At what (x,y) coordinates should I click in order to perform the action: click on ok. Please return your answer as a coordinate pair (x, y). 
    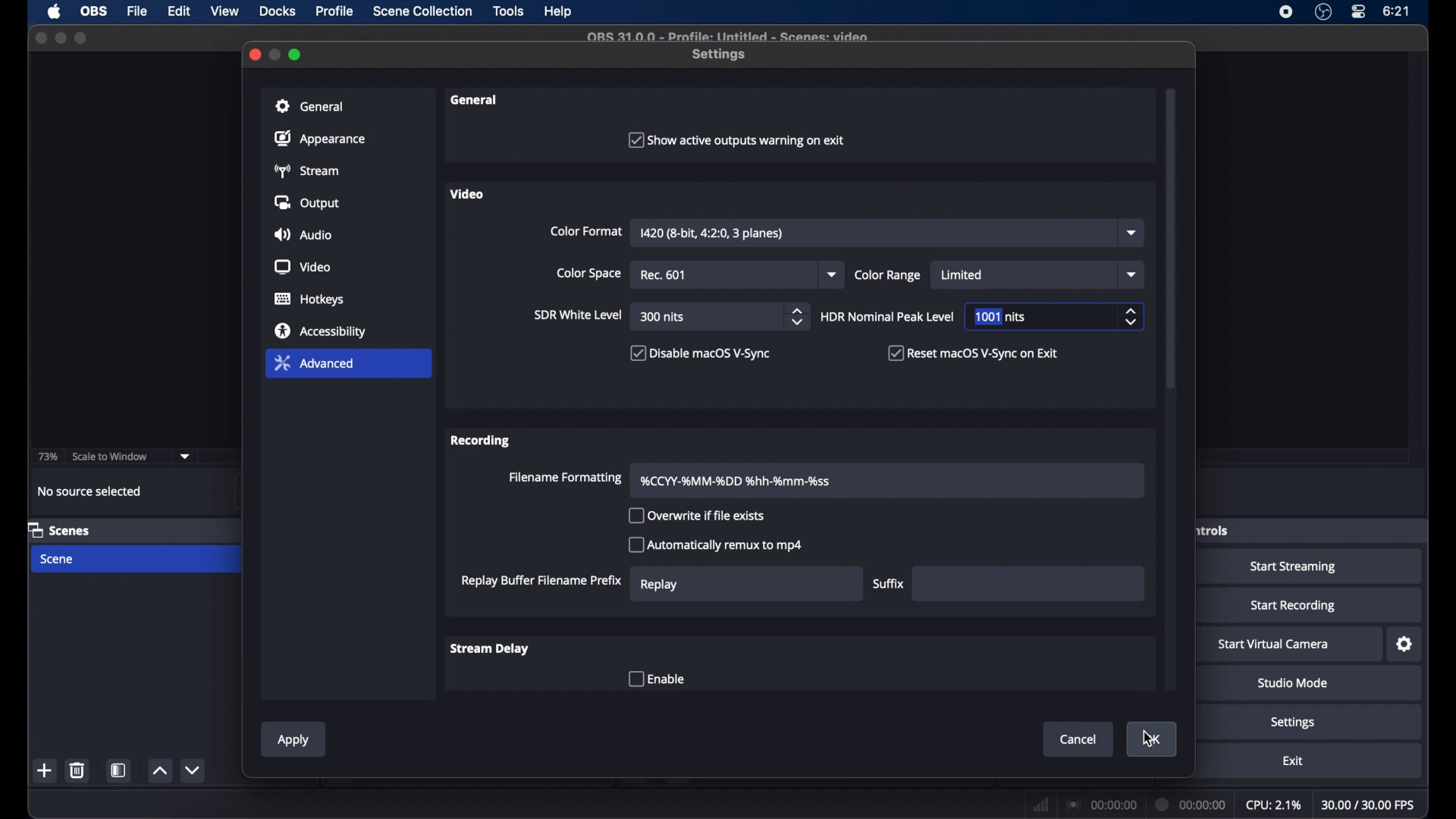
    Looking at the image, I should click on (1153, 740).